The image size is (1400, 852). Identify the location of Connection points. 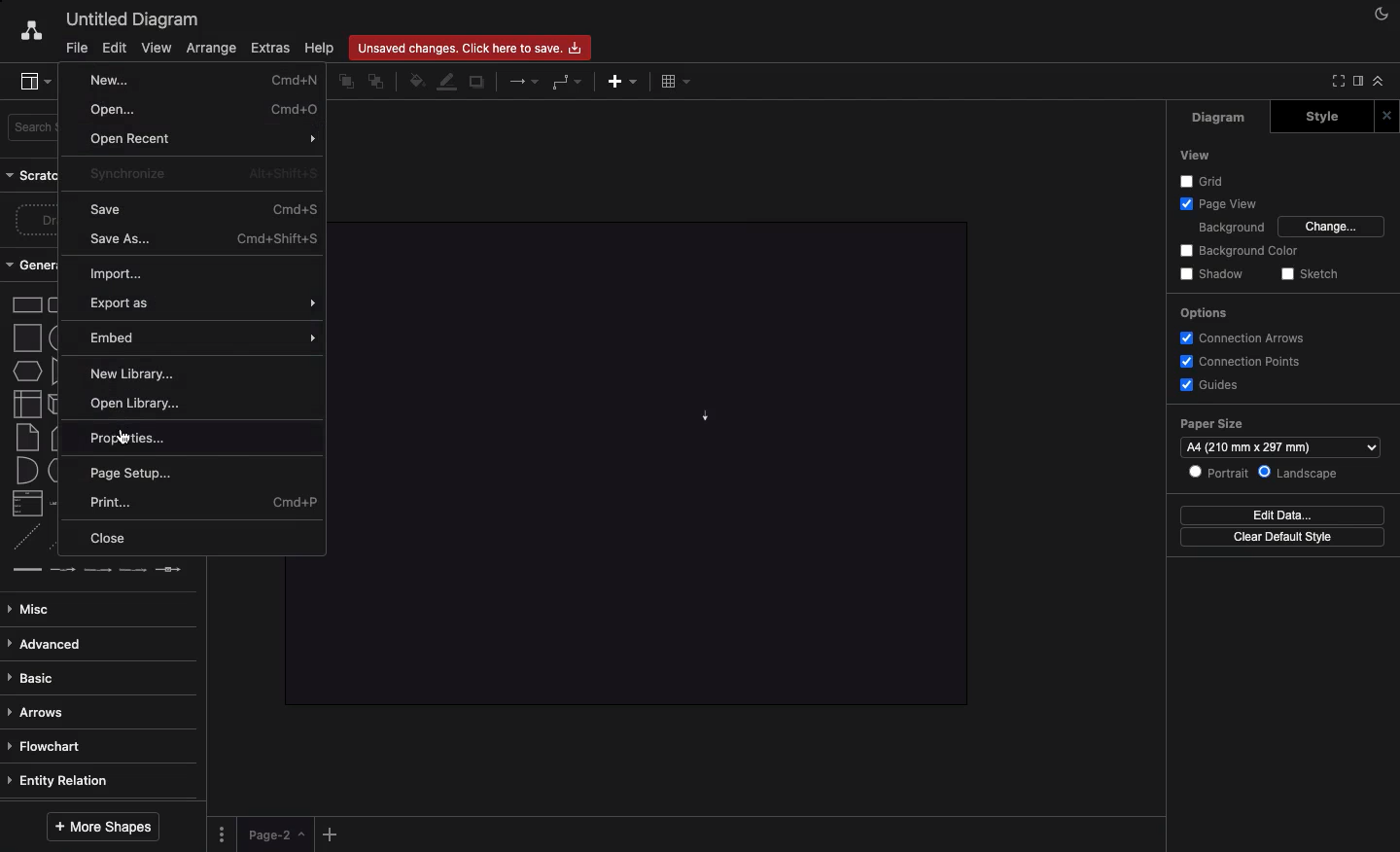
(1239, 361).